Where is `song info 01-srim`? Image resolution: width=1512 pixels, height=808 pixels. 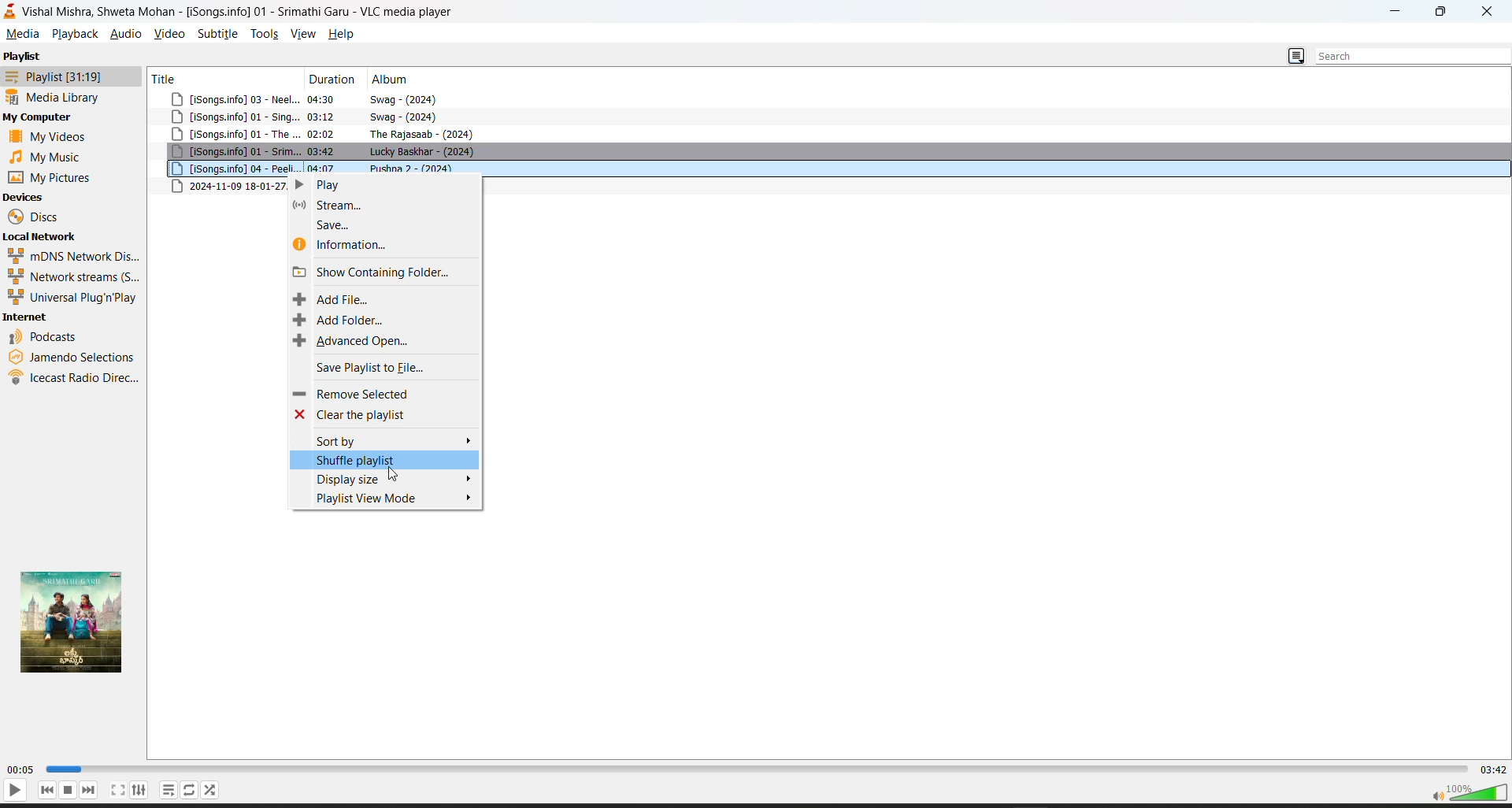 song info 01-srim is located at coordinates (232, 151).